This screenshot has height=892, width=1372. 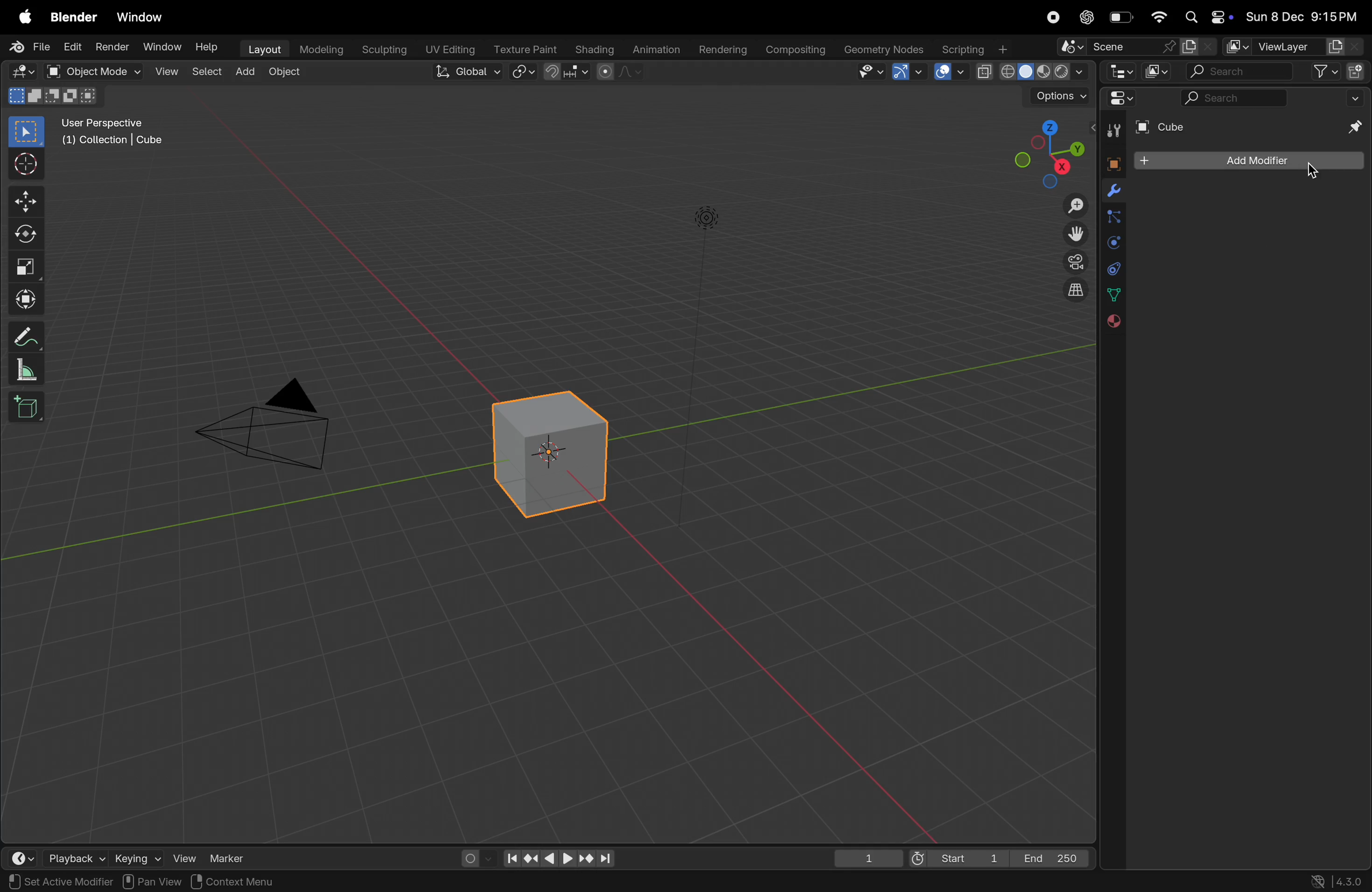 What do you see at coordinates (26, 372) in the screenshot?
I see `measure ` at bounding box center [26, 372].